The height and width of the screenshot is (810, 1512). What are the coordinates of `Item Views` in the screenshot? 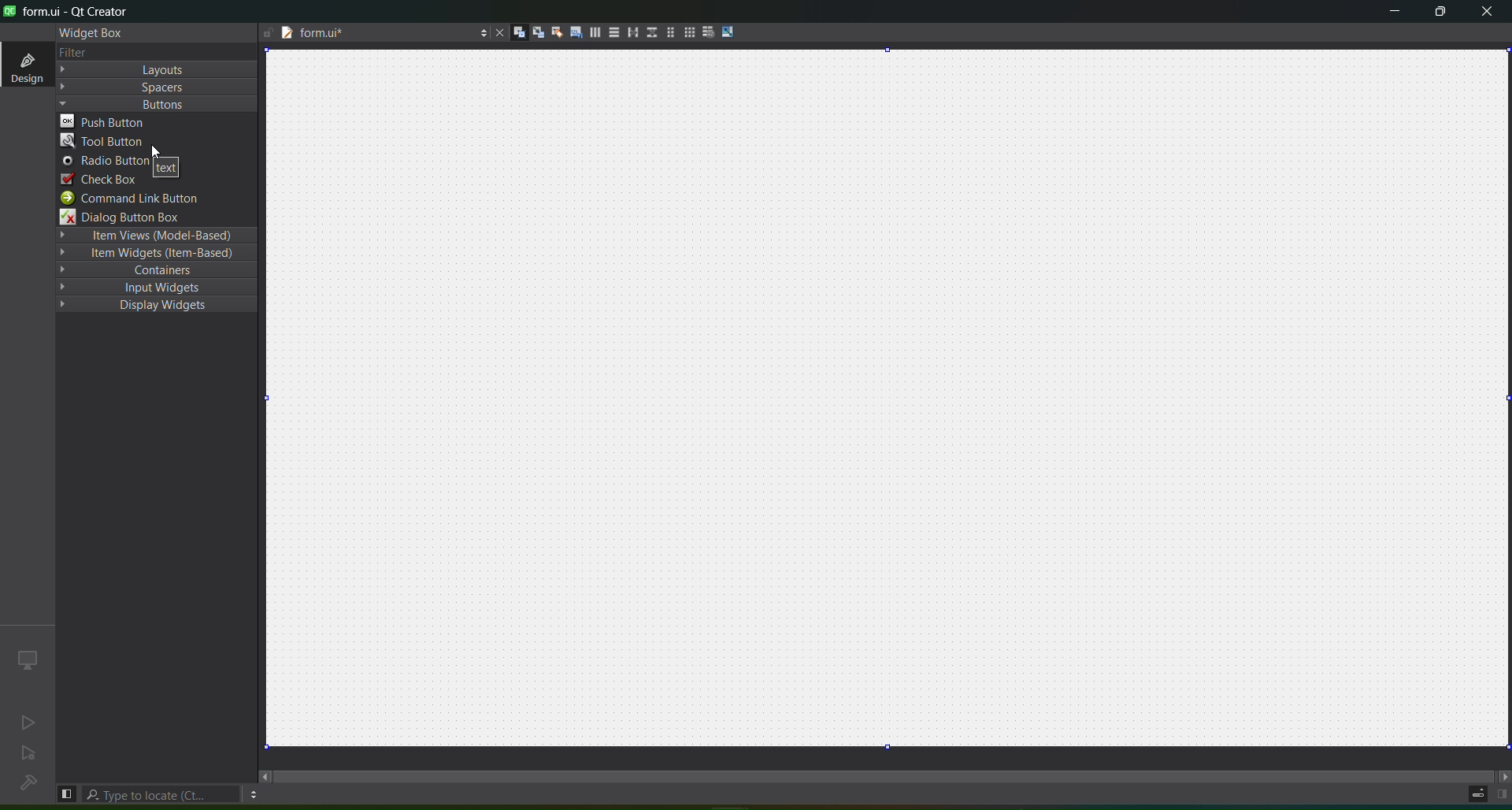 It's located at (157, 235).